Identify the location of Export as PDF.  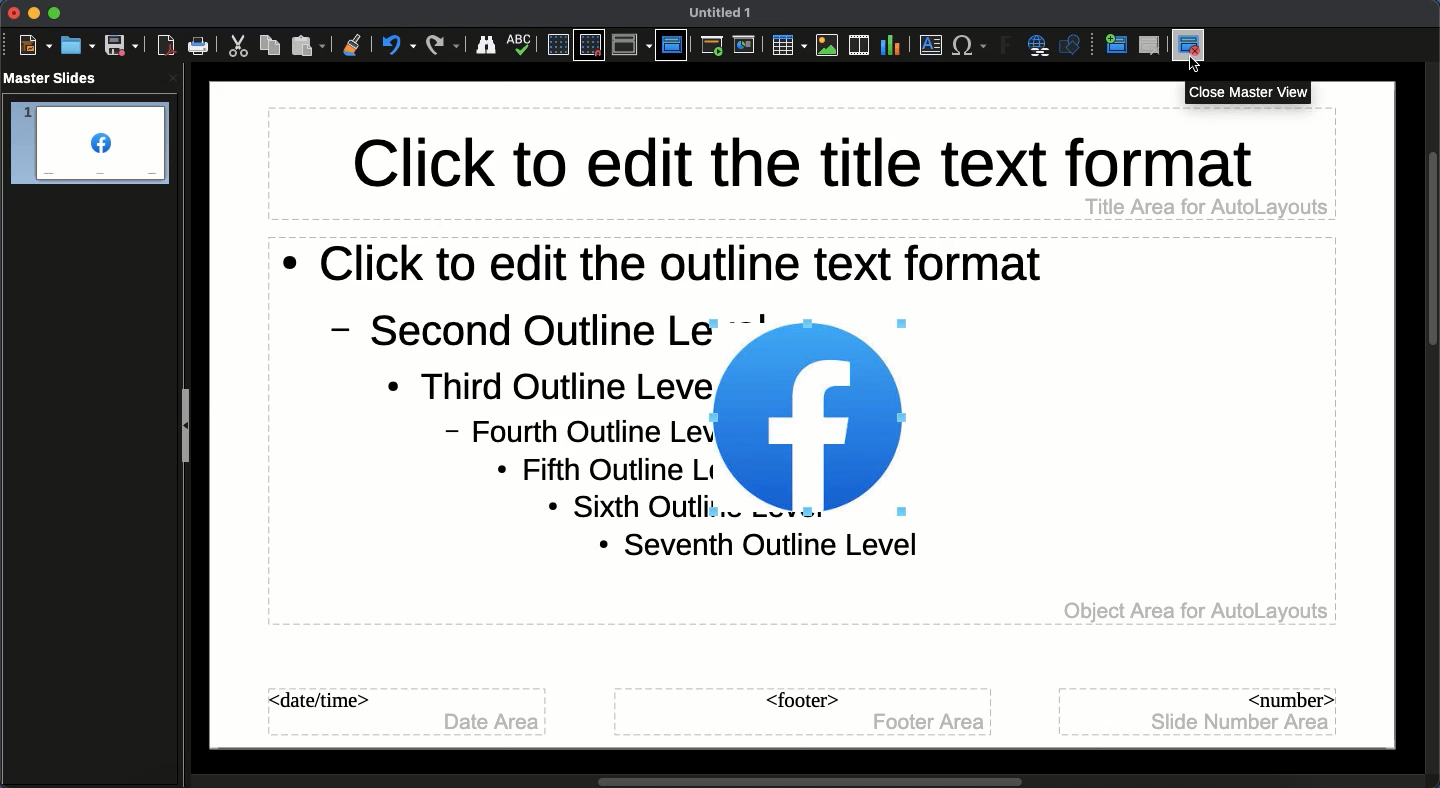
(166, 47).